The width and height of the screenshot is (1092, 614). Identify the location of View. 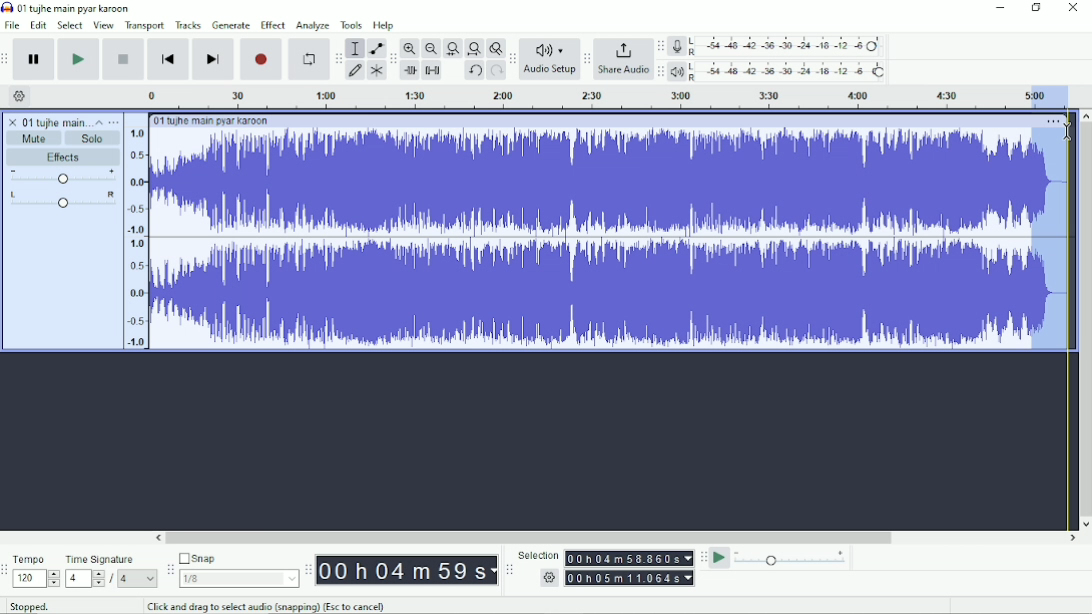
(104, 26).